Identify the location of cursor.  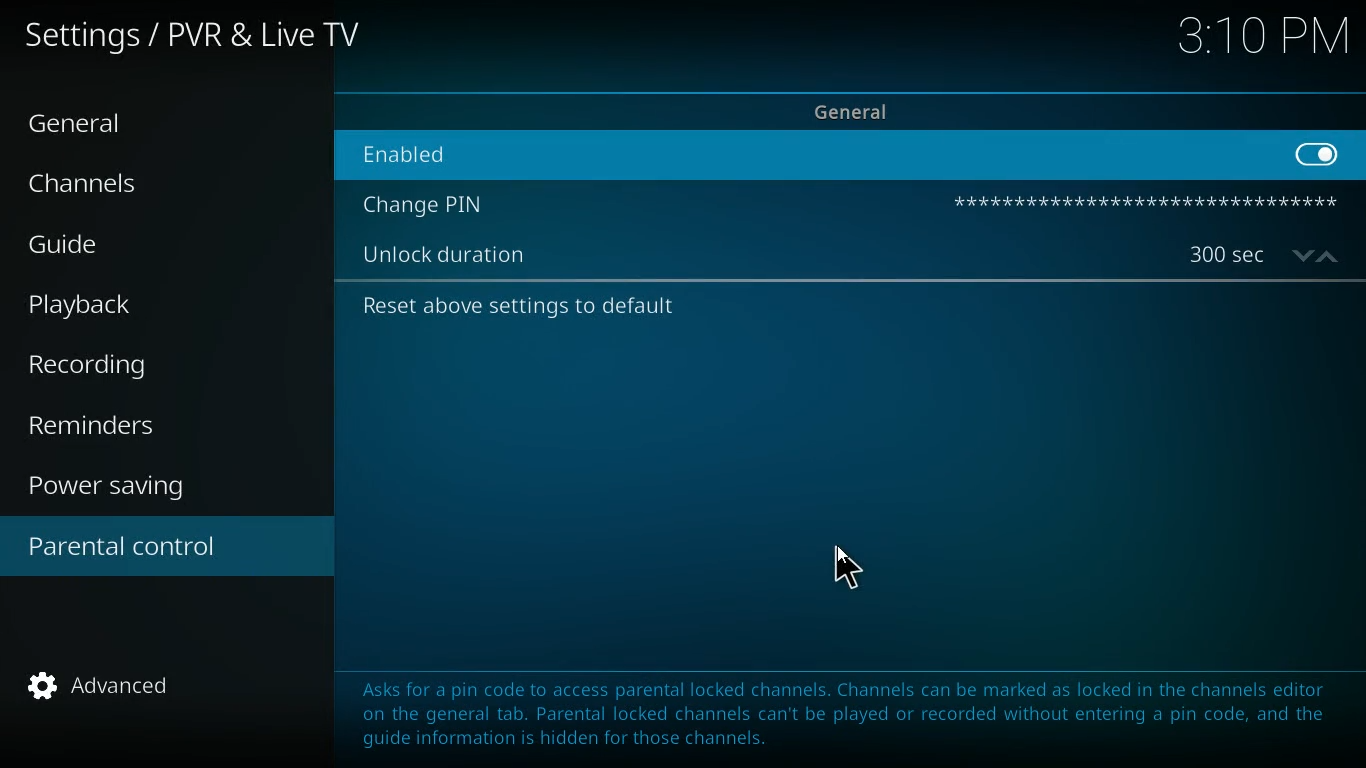
(849, 573).